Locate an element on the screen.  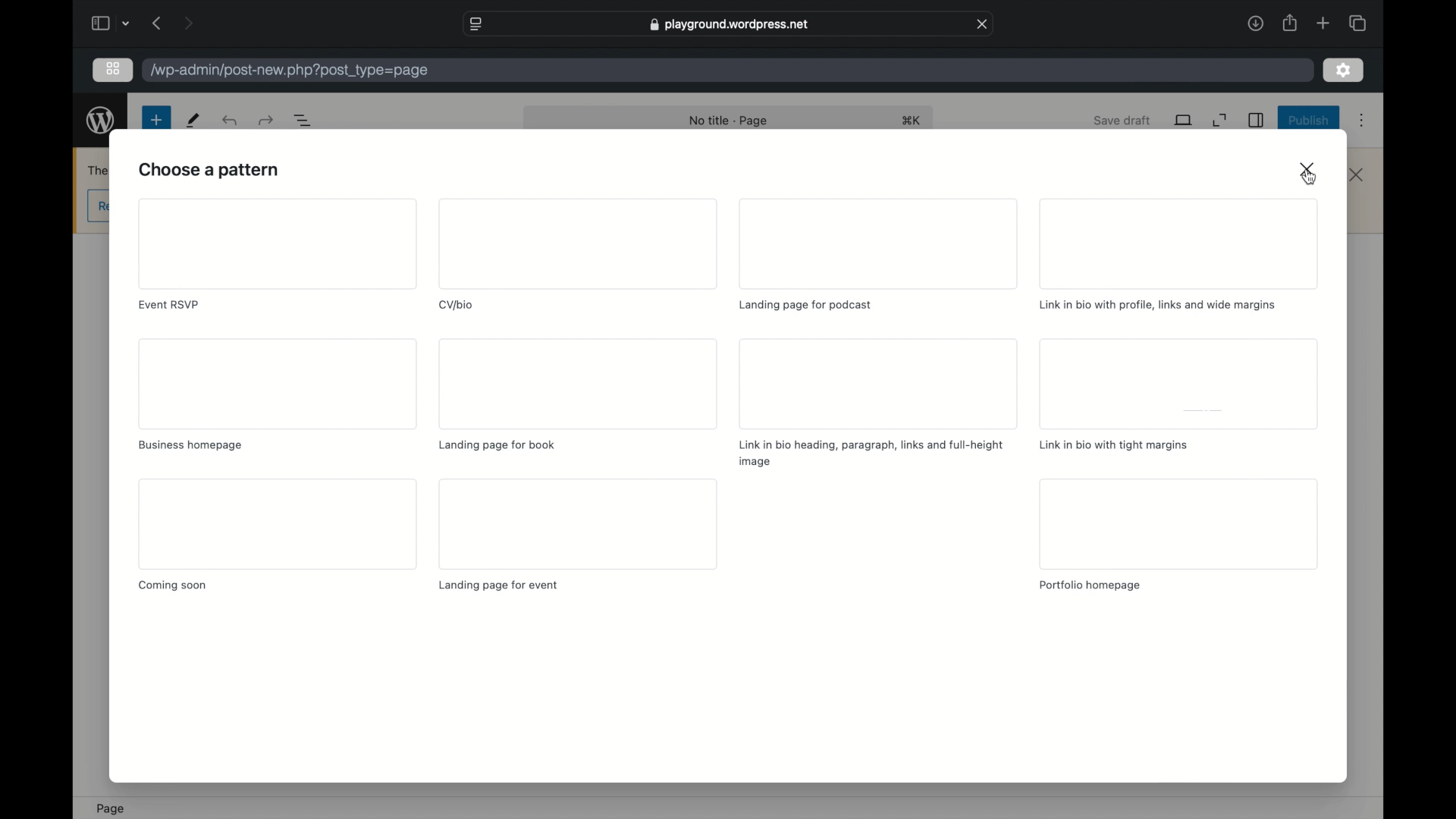
publish is located at coordinates (1309, 121).